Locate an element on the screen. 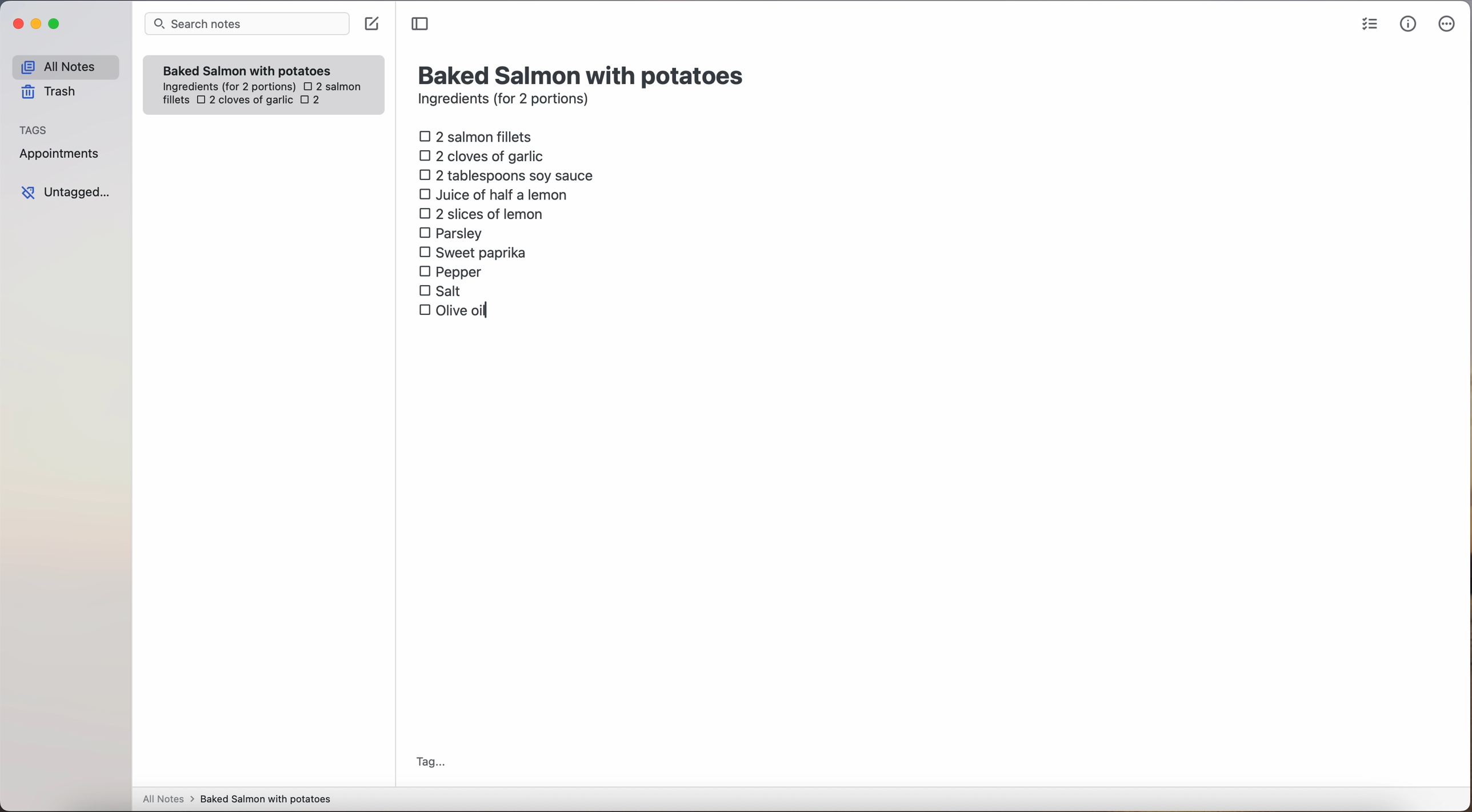 Image resolution: width=1472 pixels, height=812 pixels. 2 tablespoons soy sauce is located at coordinates (506, 175).